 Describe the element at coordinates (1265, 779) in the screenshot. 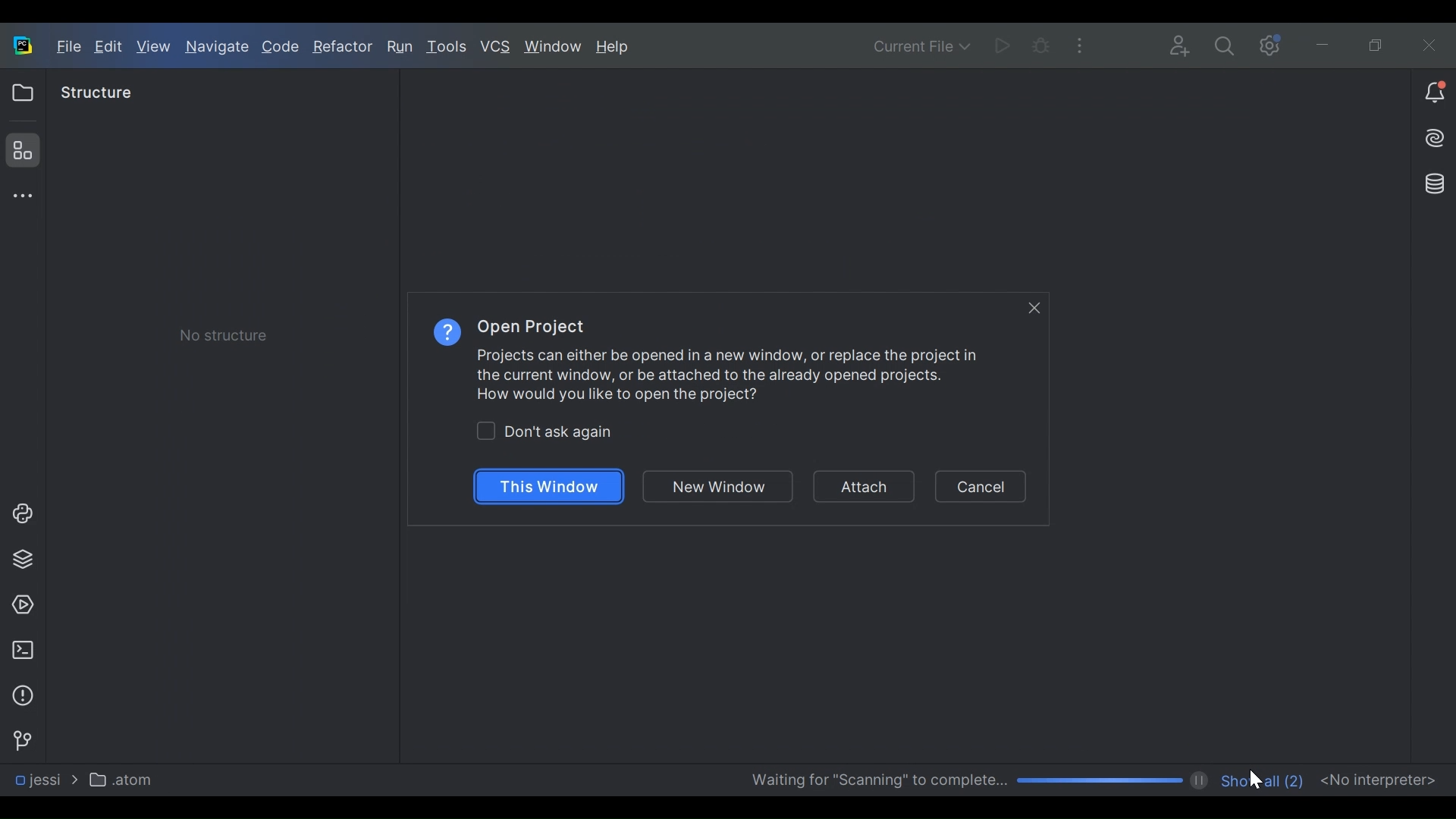

I see `Show all number of files` at that location.